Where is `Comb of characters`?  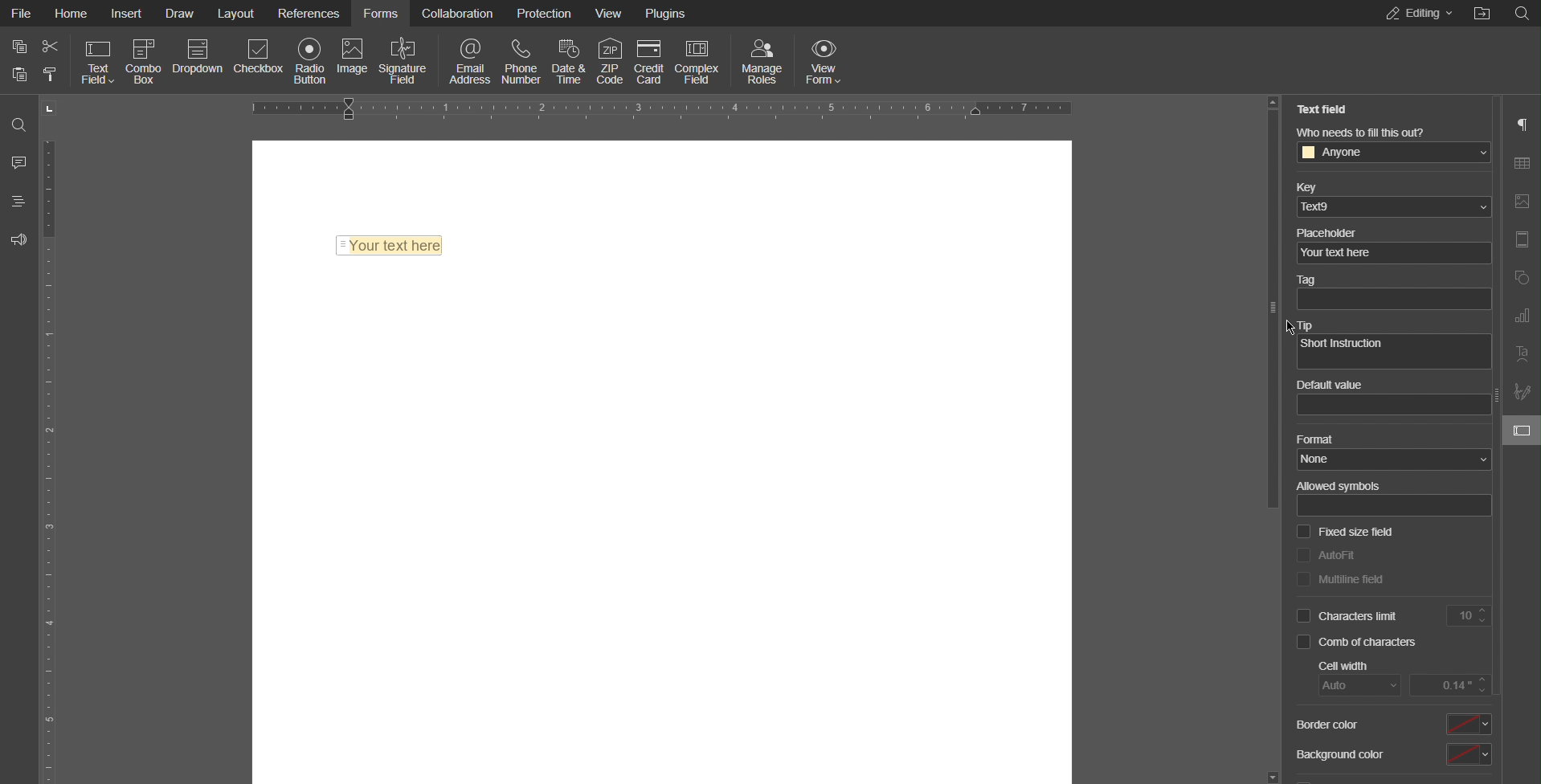 Comb of characters is located at coordinates (1373, 643).